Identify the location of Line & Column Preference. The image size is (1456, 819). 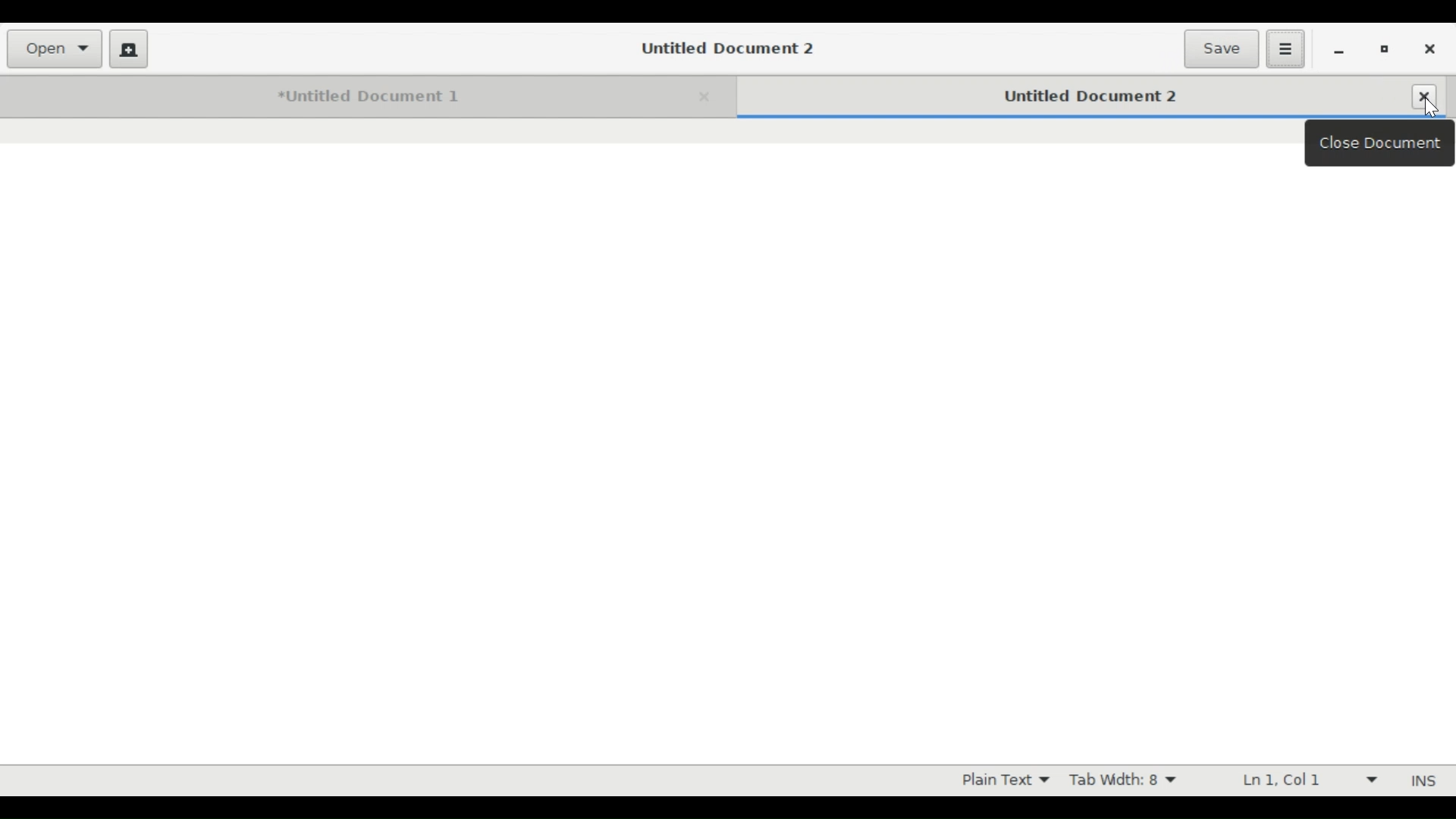
(1301, 780).